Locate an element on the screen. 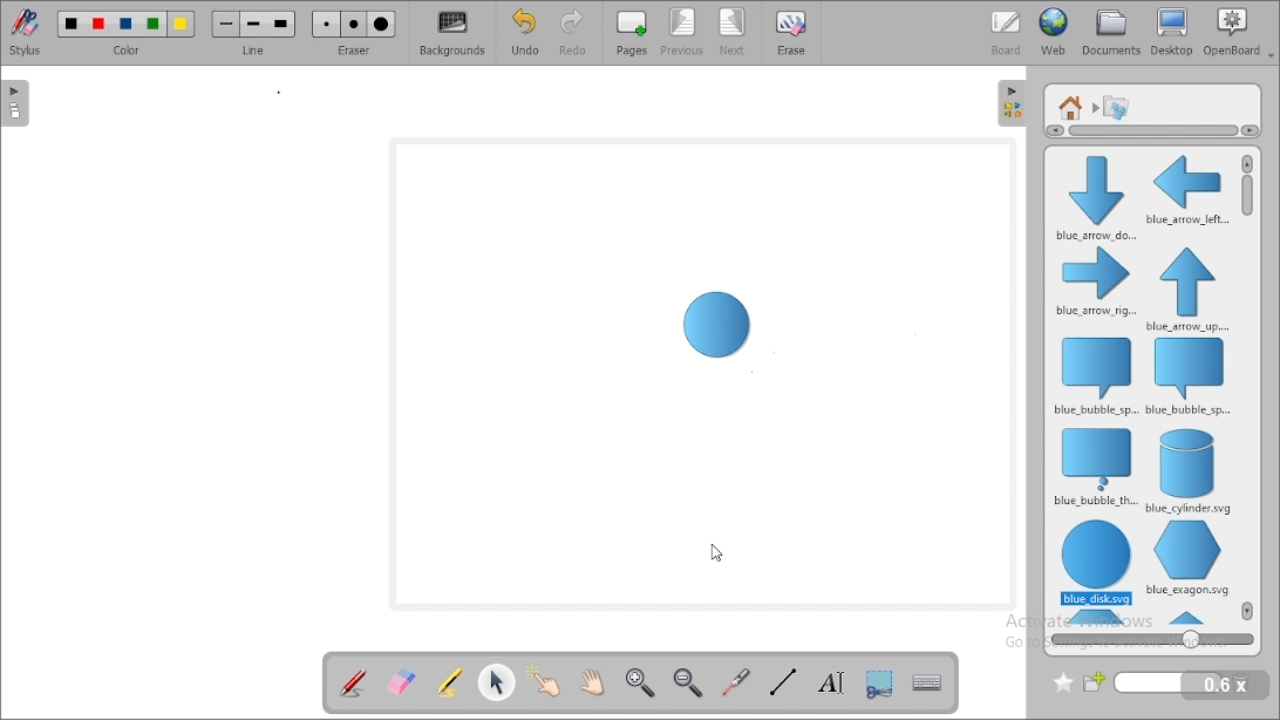 The width and height of the screenshot is (1280, 720). scroll page is located at coordinates (593, 680).